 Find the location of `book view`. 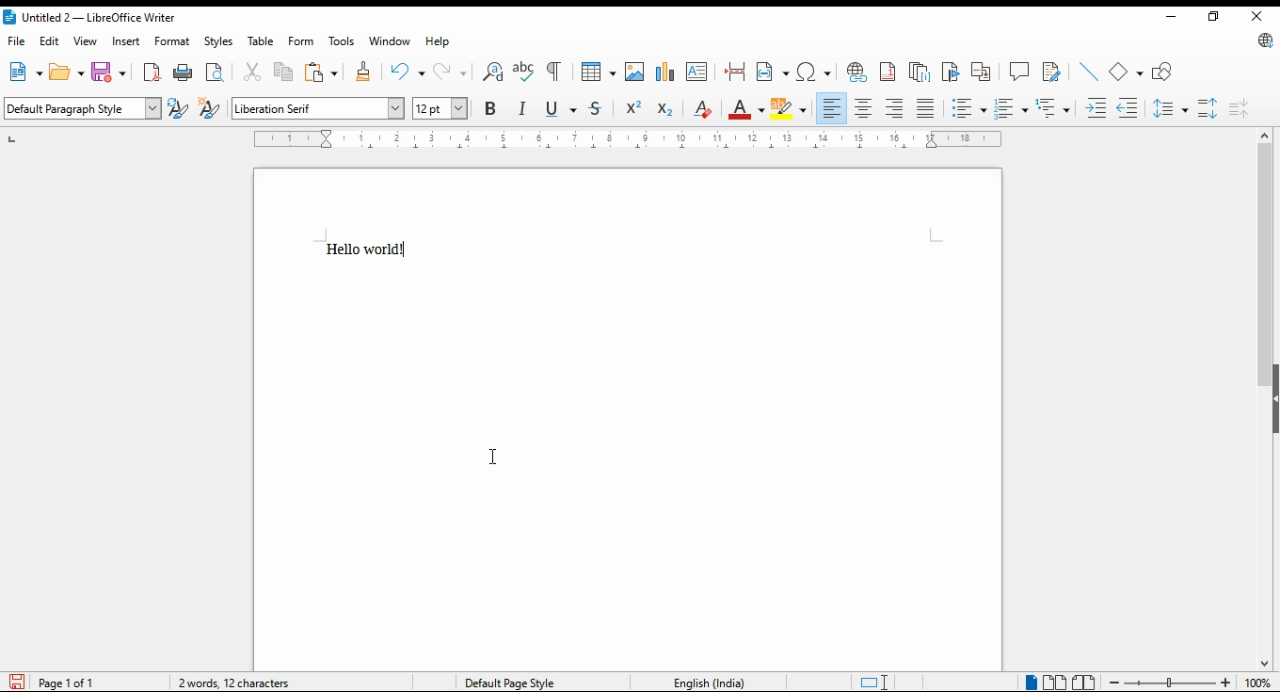

book view is located at coordinates (1087, 682).